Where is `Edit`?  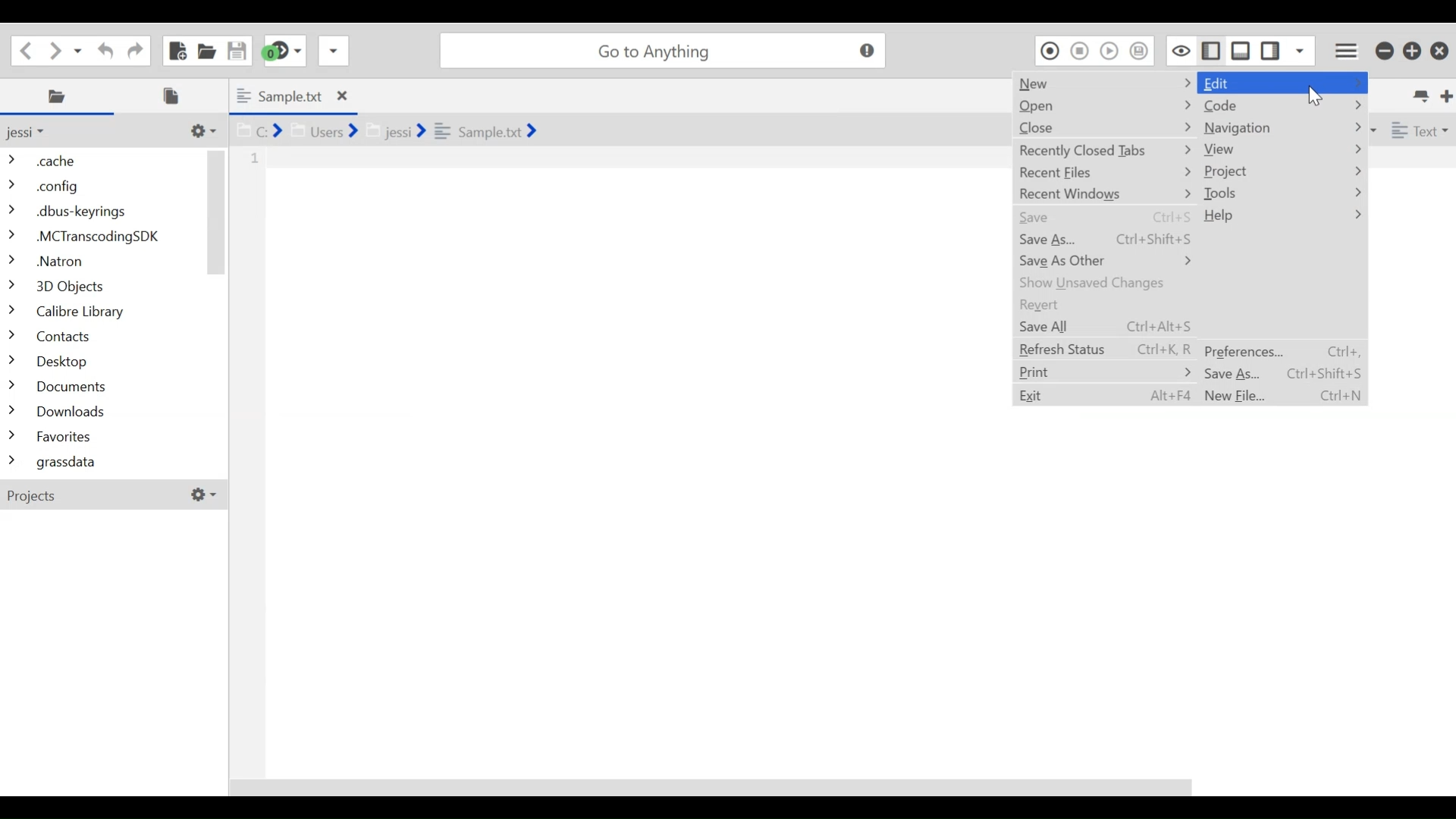
Edit is located at coordinates (1106, 395).